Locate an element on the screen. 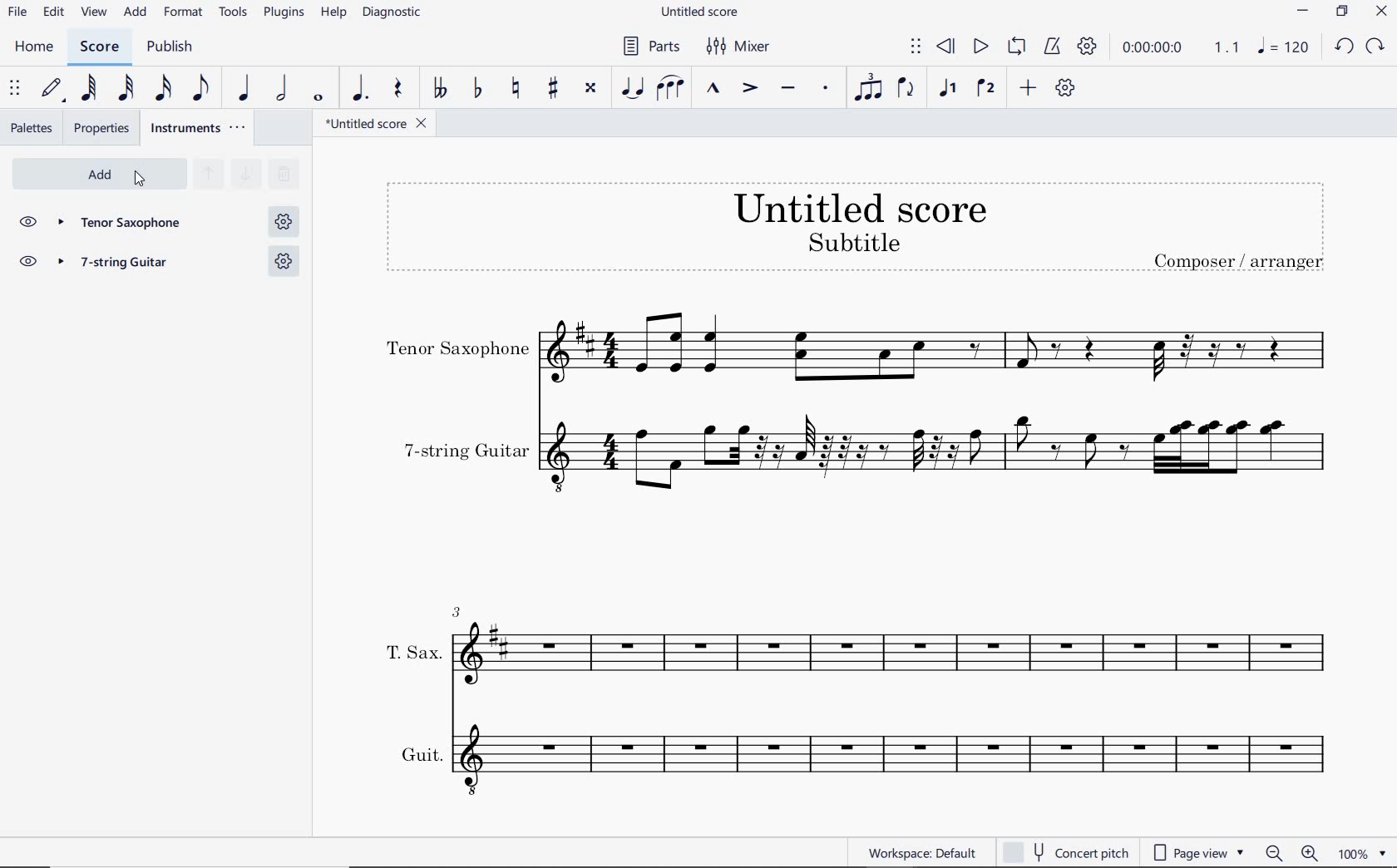  INSTRUMENT: GUIT is located at coordinates (853, 757).